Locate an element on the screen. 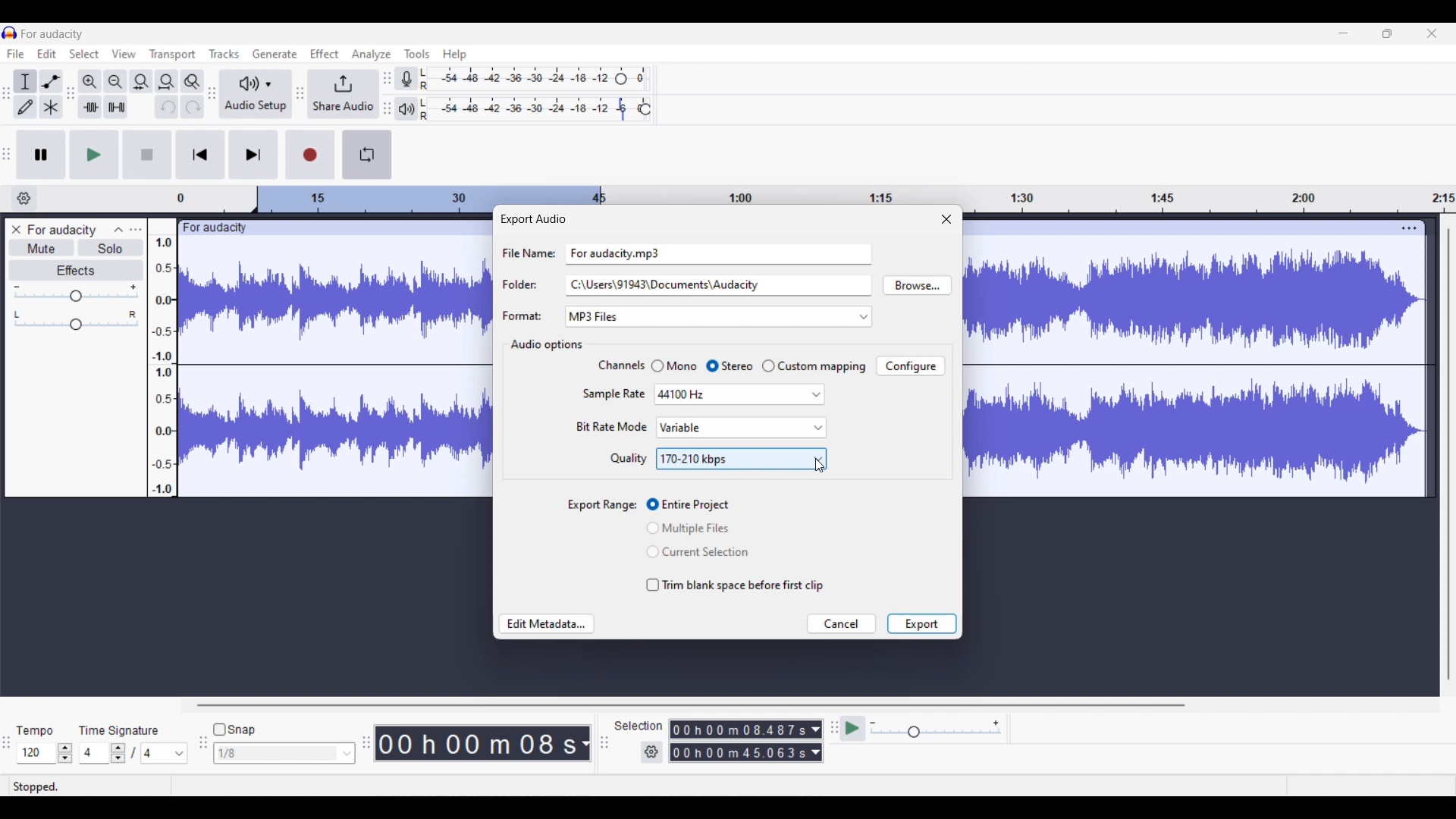 The image size is (1456, 819). Envelop tool is located at coordinates (51, 82).